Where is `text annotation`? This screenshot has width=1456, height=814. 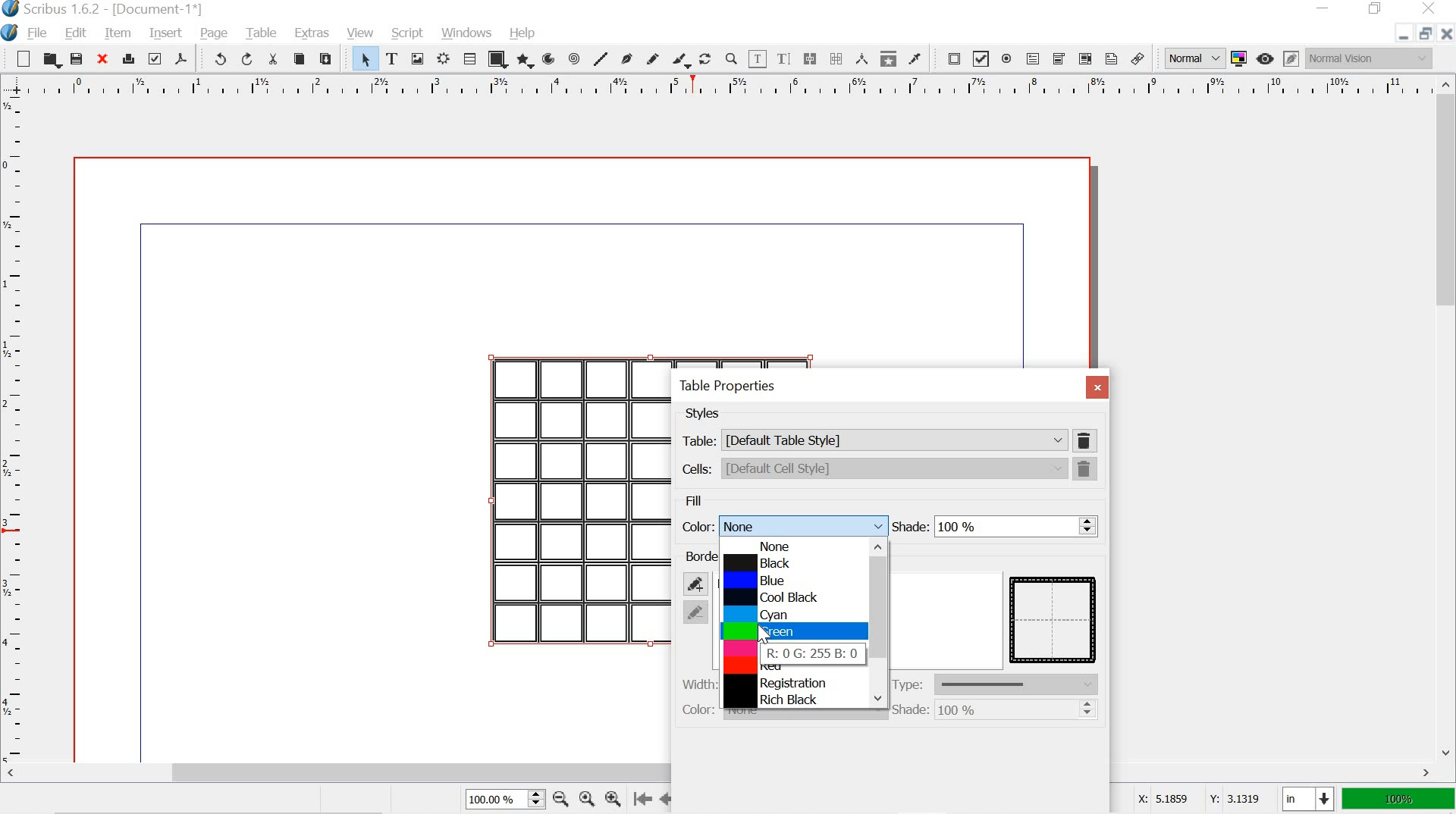 text annotation is located at coordinates (1112, 58).